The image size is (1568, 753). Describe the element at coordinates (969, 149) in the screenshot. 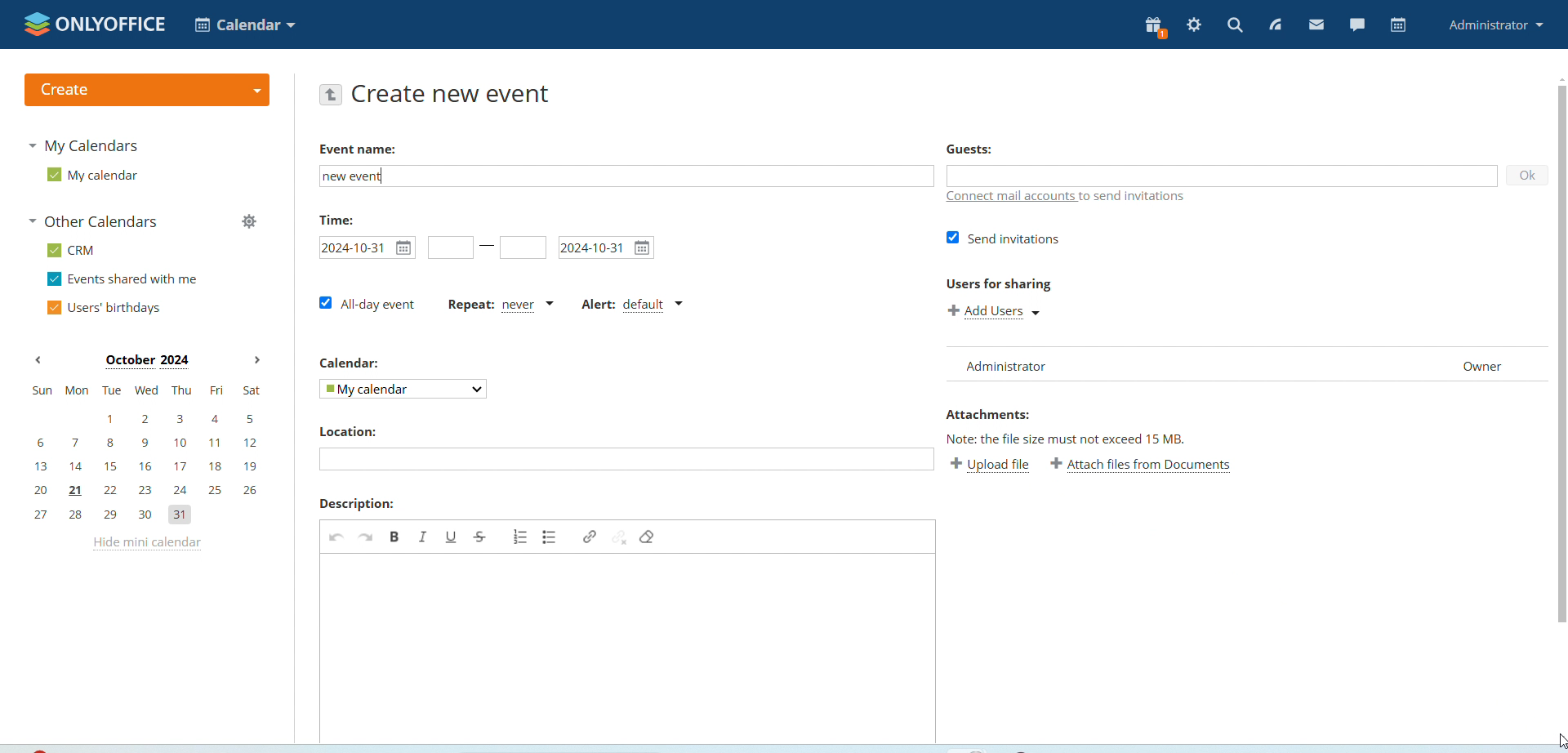

I see `guests` at that location.